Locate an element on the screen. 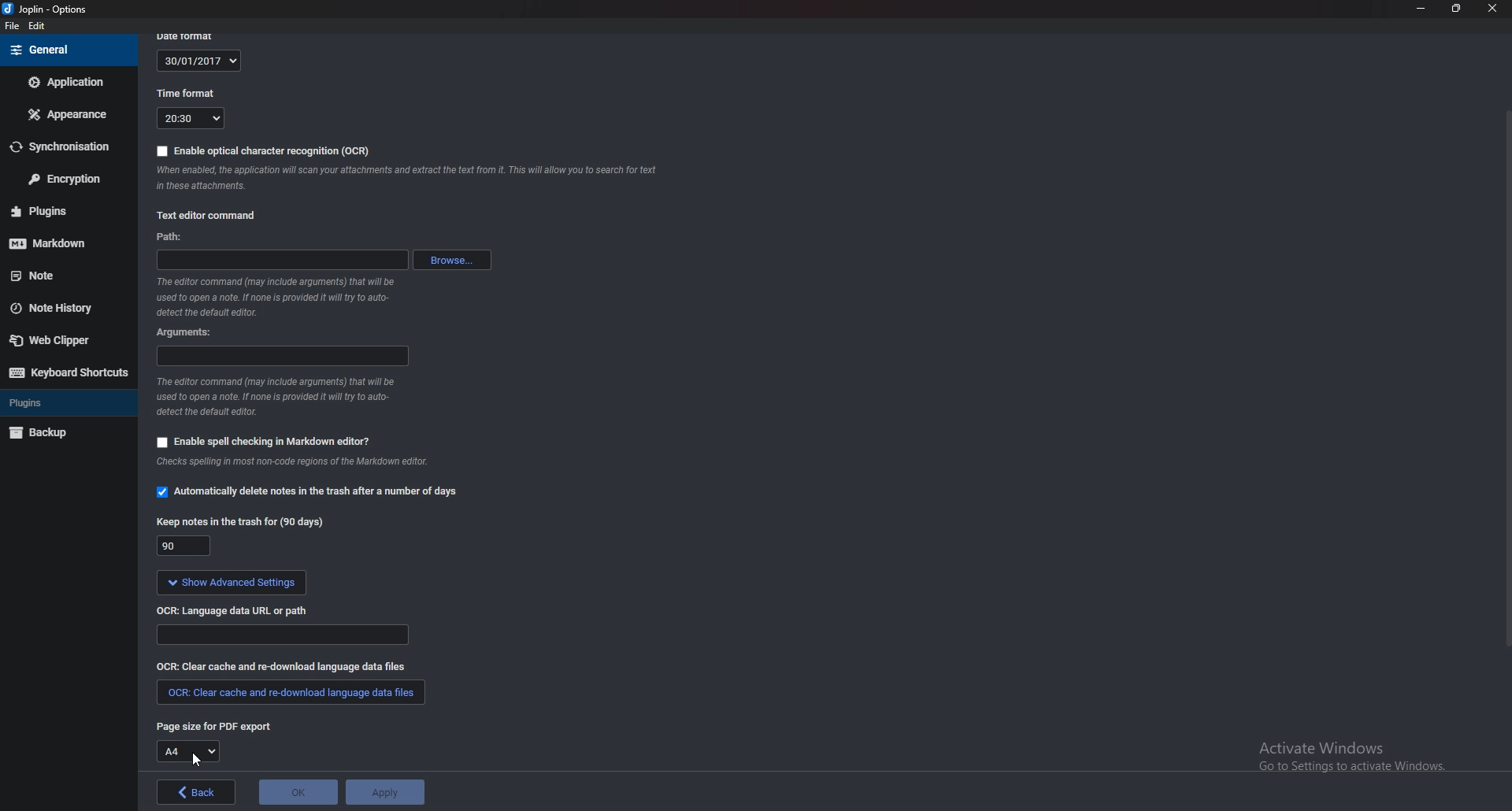 The height and width of the screenshot is (811, 1512). joplin is located at coordinates (51, 9).